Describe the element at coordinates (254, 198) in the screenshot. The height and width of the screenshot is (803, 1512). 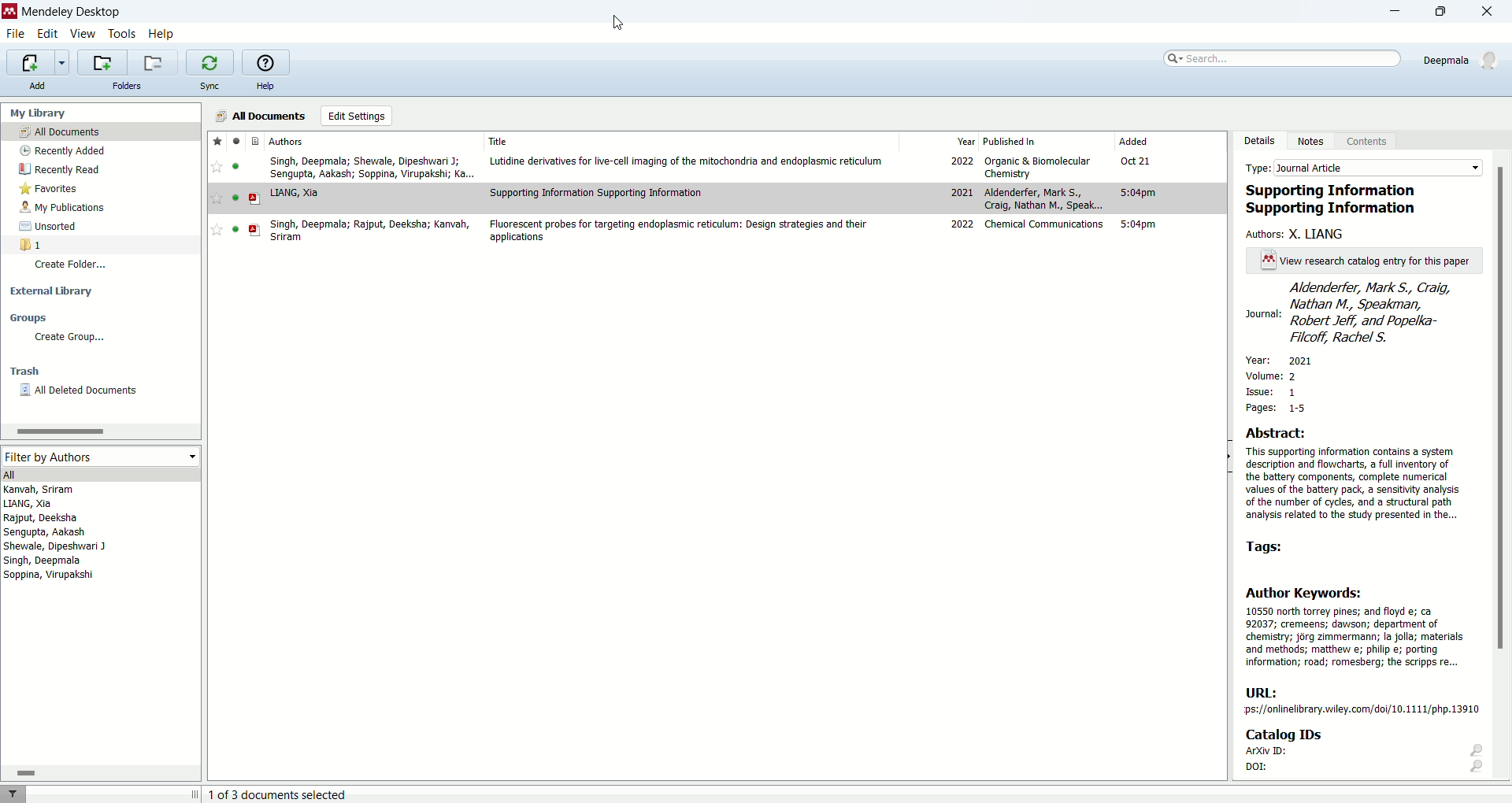
I see `PDF` at that location.